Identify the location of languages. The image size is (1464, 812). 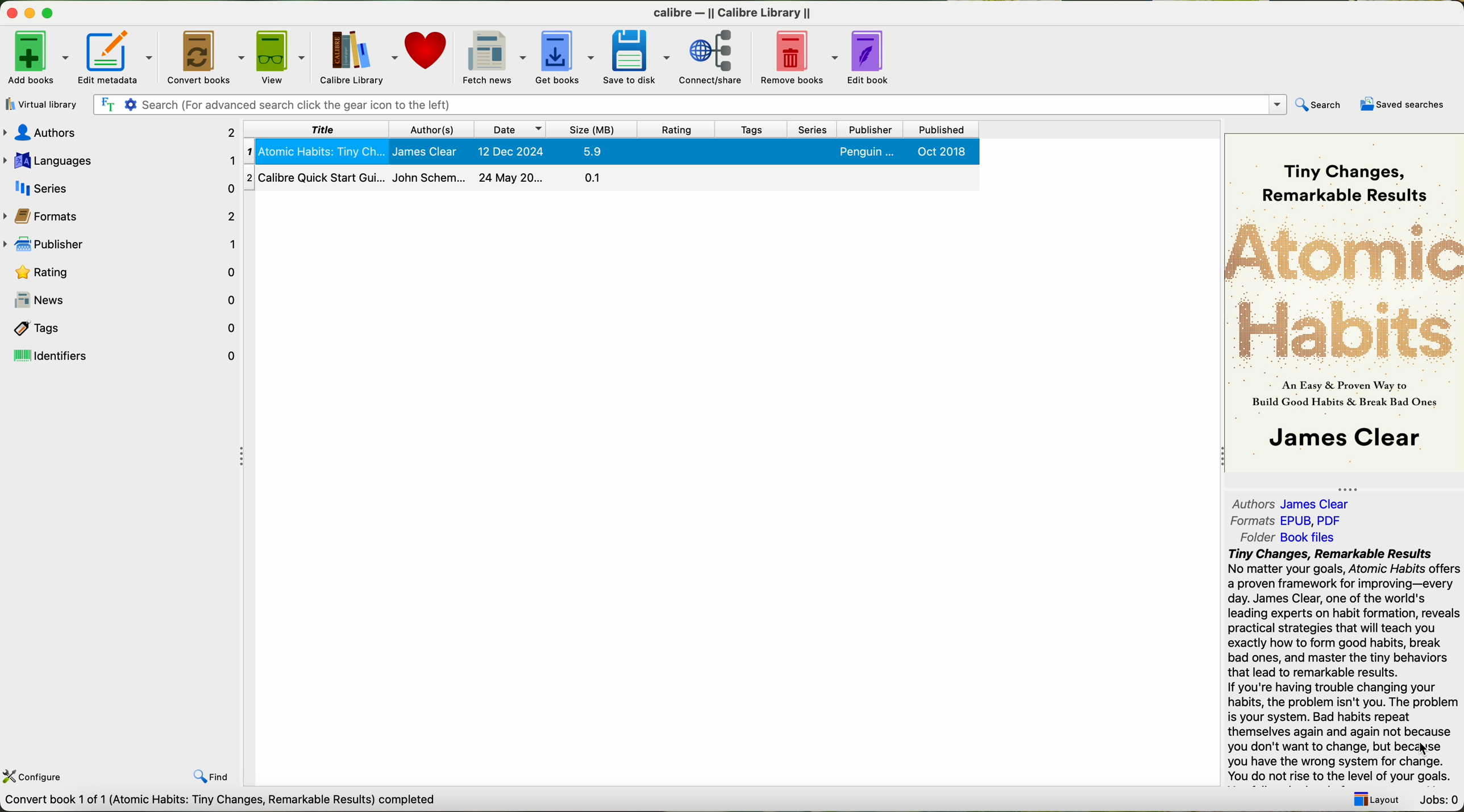
(122, 160).